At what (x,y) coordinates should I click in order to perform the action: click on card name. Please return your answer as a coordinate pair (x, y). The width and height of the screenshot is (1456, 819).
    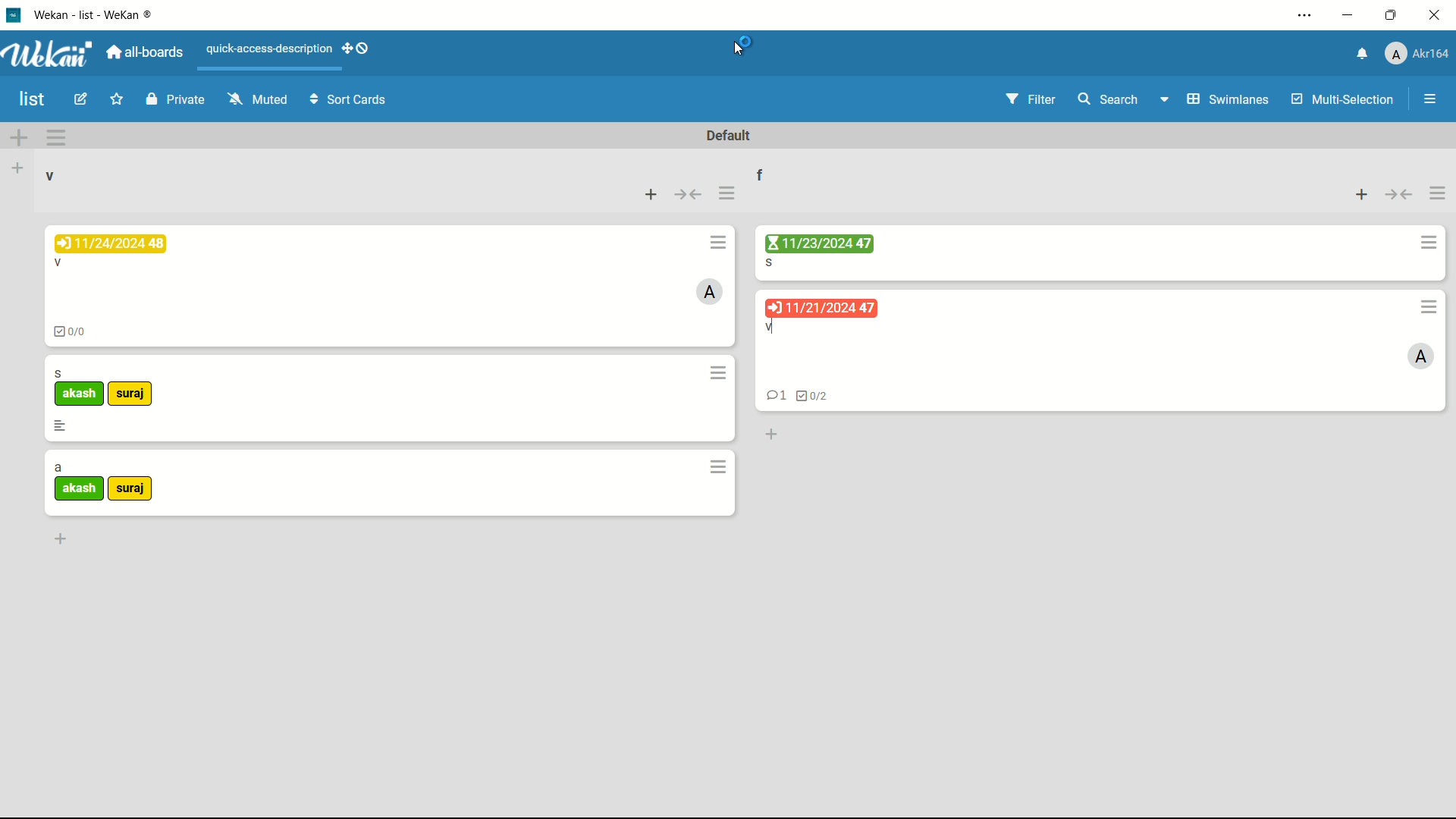
    Looking at the image, I should click on (772, 327).